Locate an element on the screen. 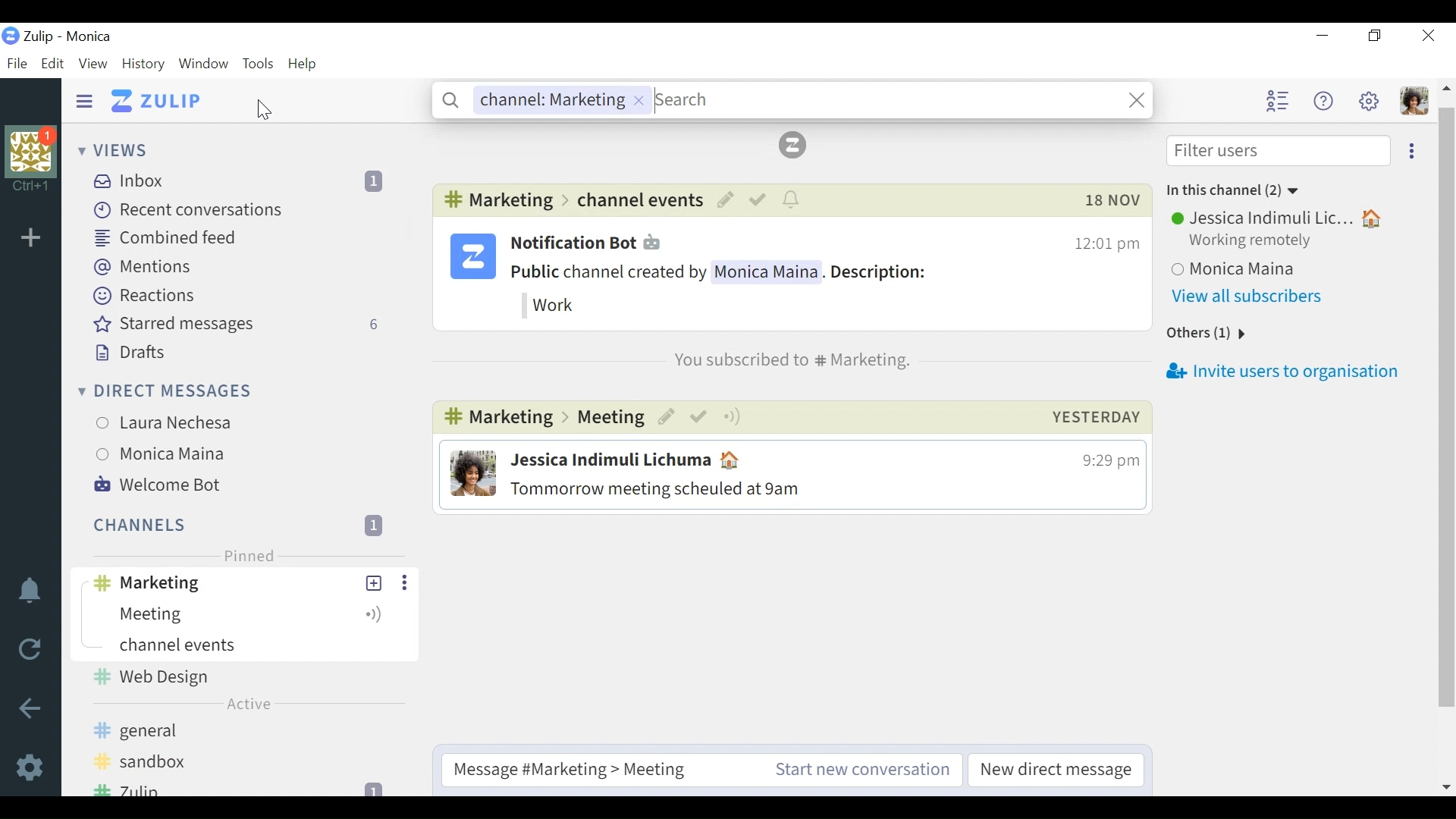 The image size is (1456, 819). Edit is located at coordinates (727, 201).